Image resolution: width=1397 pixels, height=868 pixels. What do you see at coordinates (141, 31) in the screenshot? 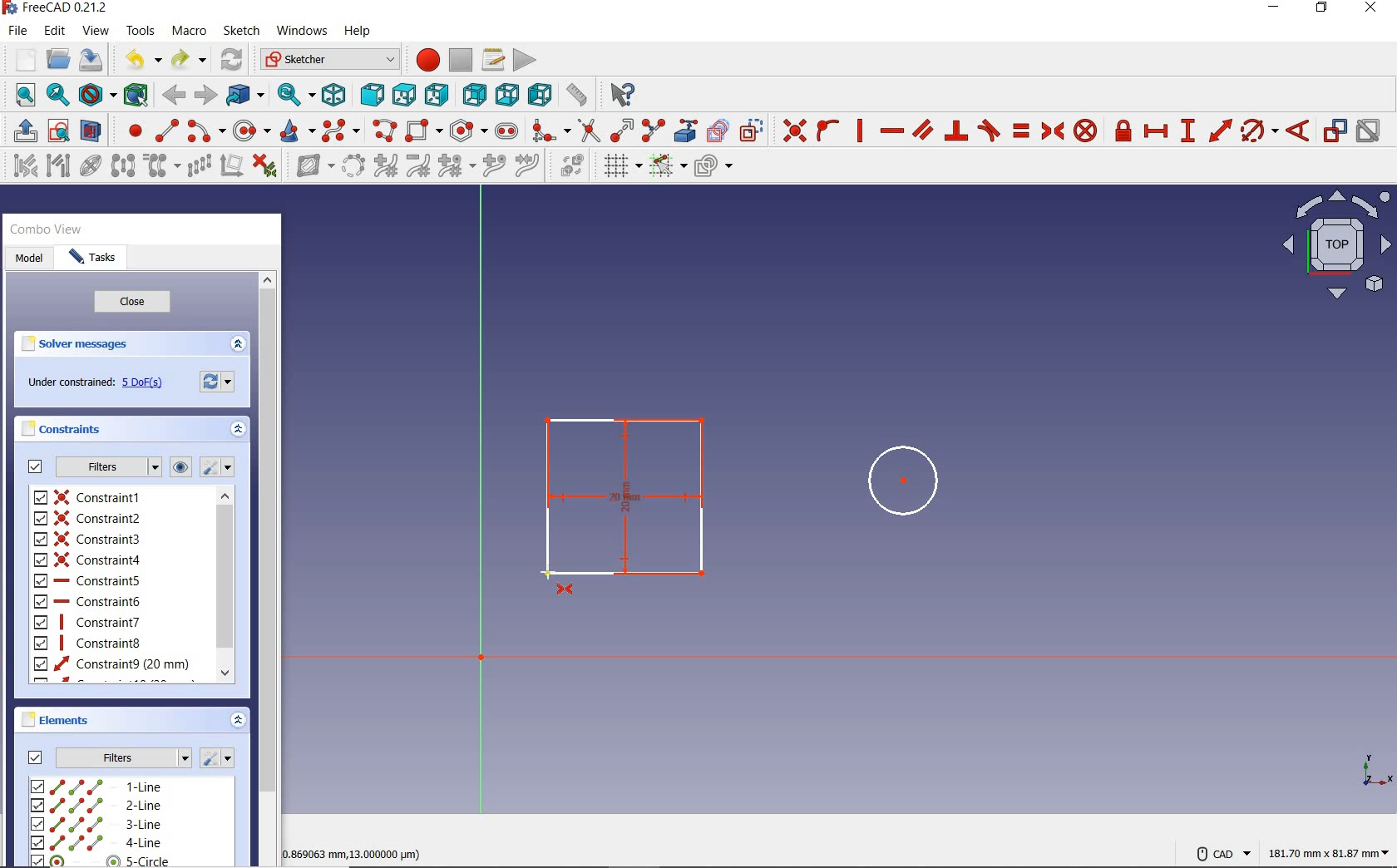
I see `tools` at bounding box center [141, 31].